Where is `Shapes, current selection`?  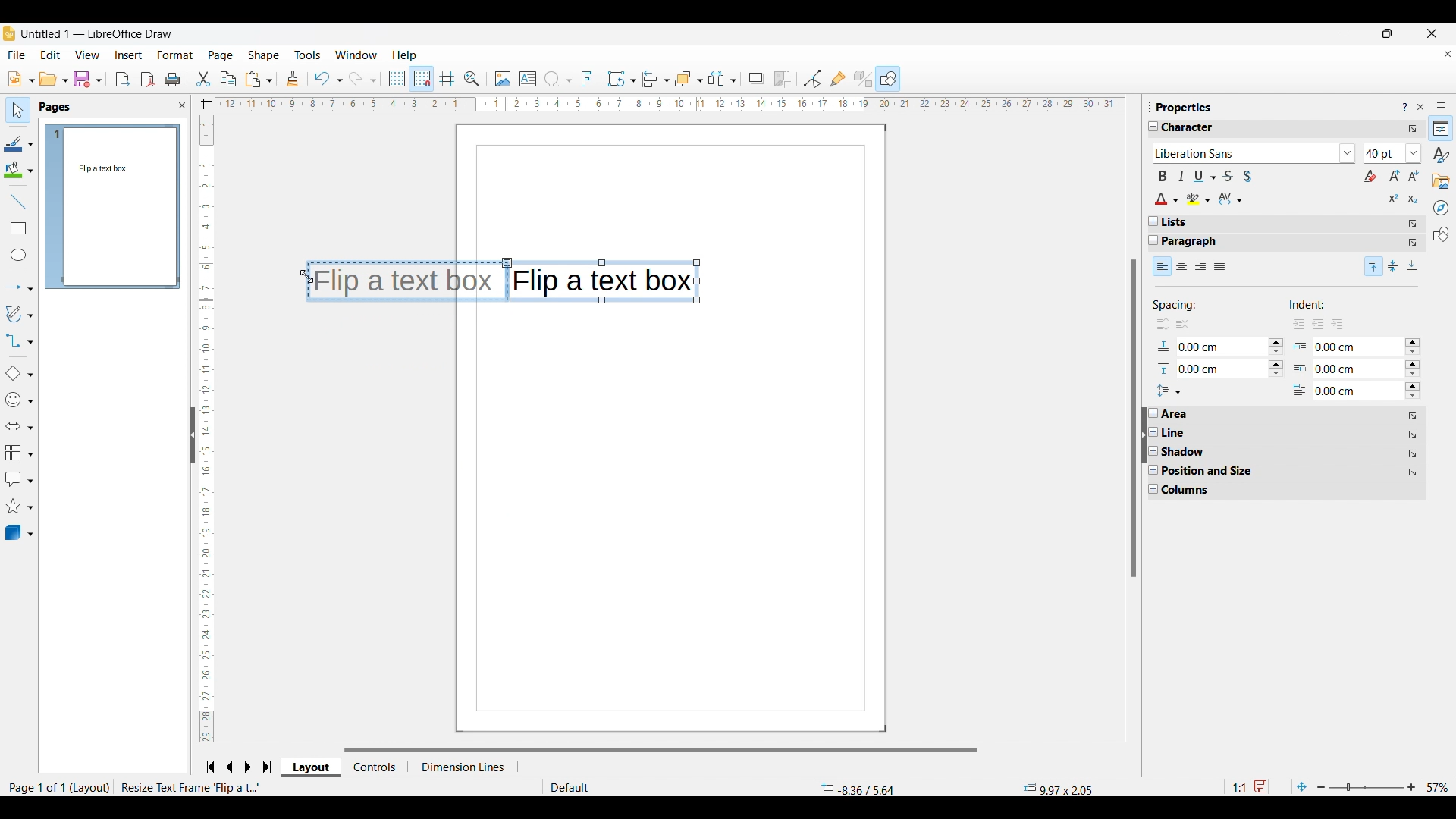
Shapes, current selection is located at coordinates (888, 79).